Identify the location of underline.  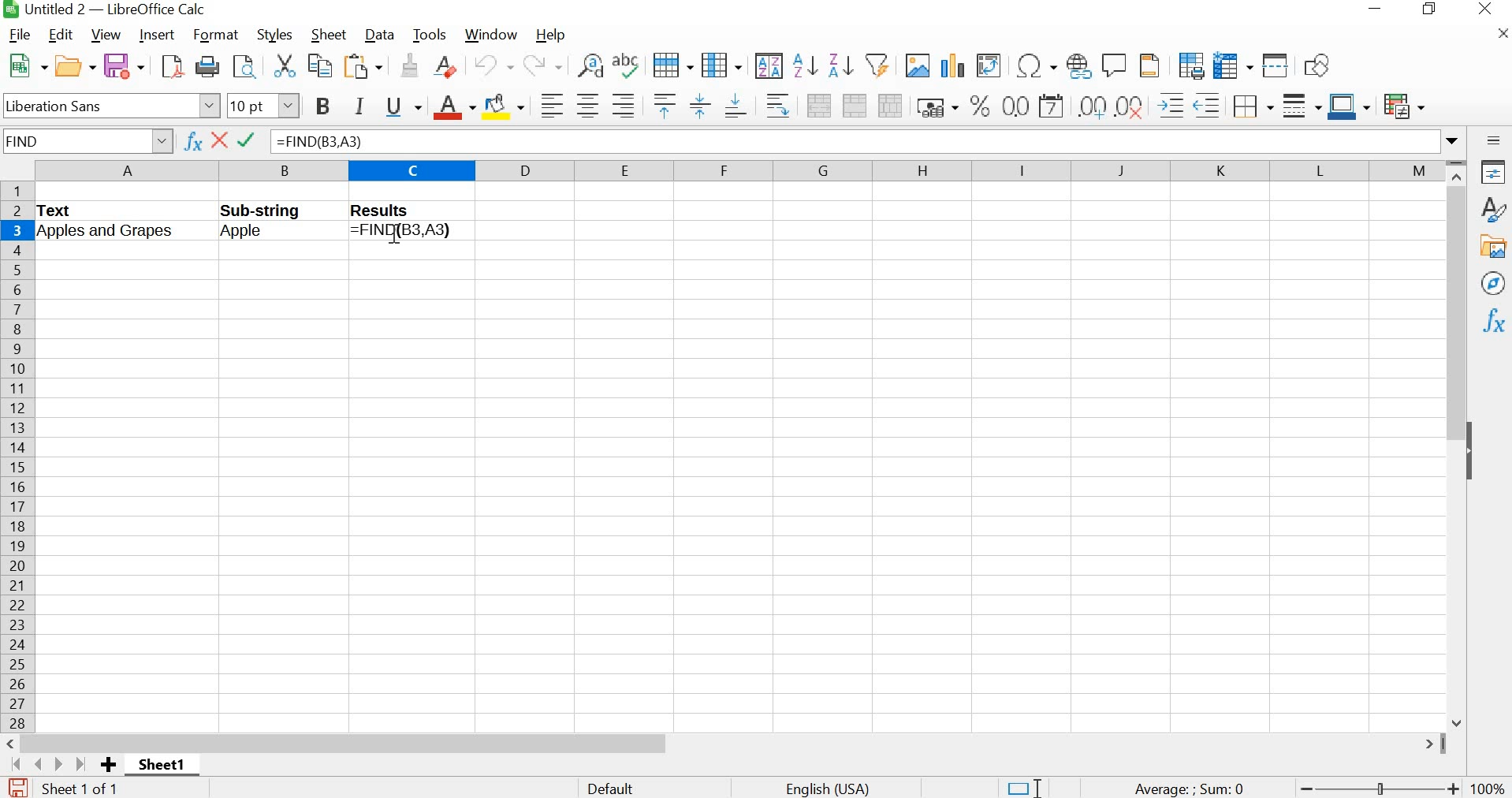
(402, 106).